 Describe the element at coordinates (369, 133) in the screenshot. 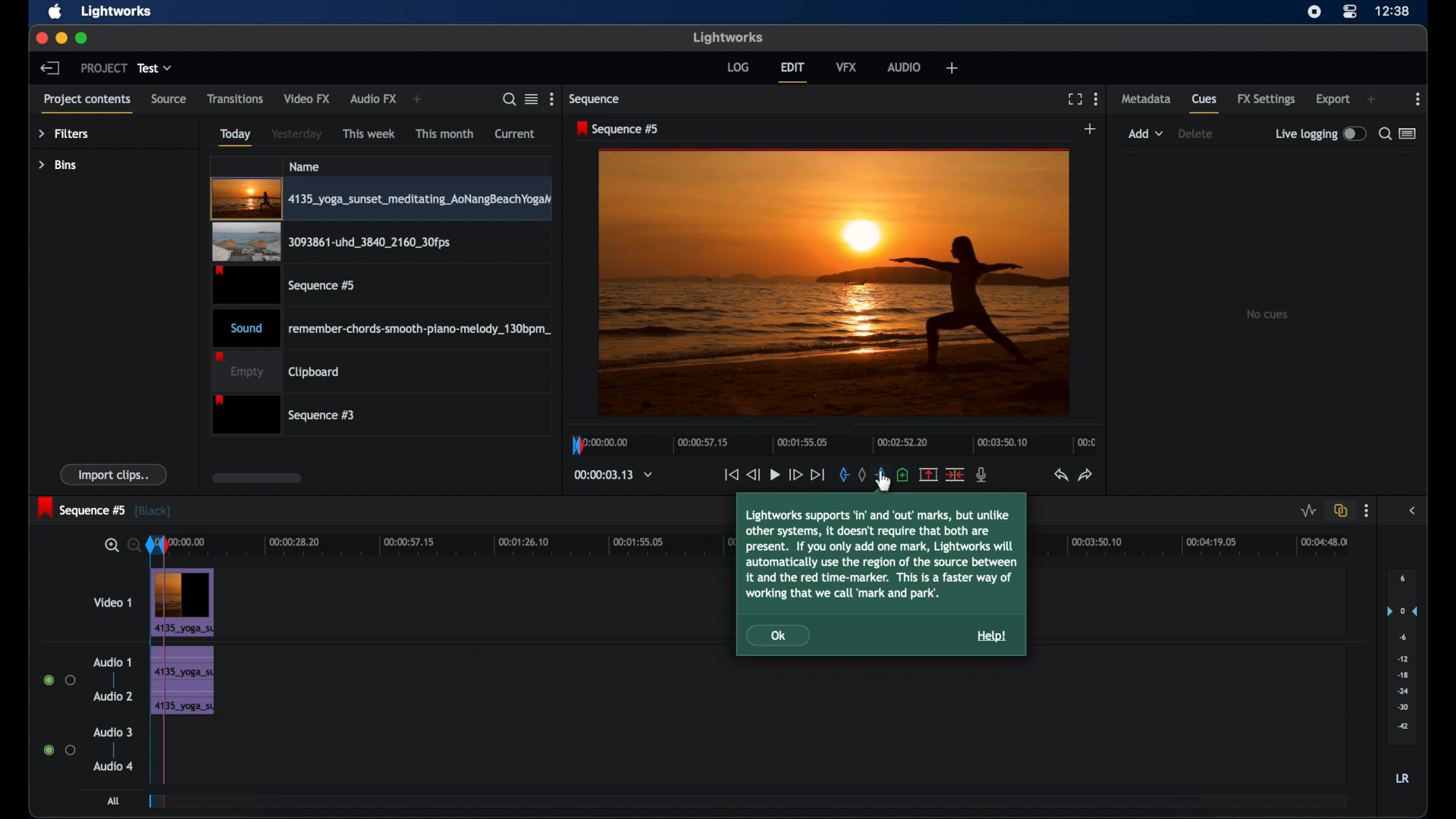

I see `this week` at that location.